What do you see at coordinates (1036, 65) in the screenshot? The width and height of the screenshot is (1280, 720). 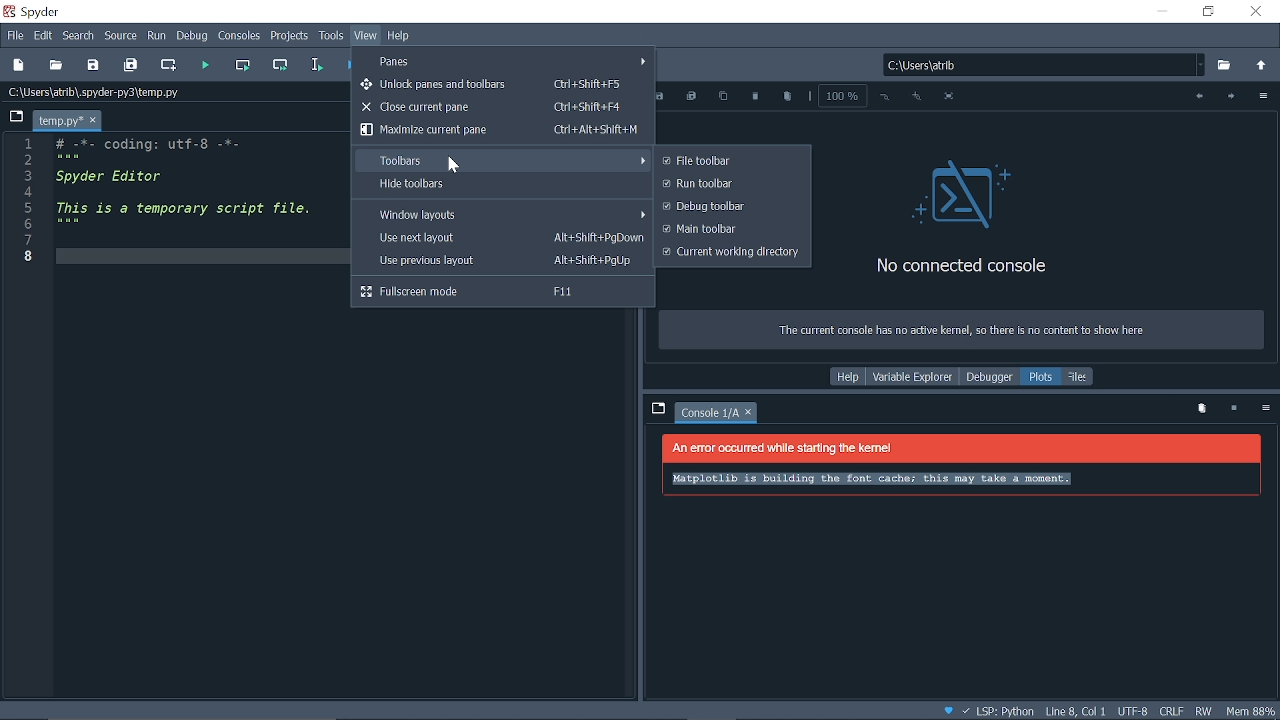 I see `` at bounding box center [1036, 65].